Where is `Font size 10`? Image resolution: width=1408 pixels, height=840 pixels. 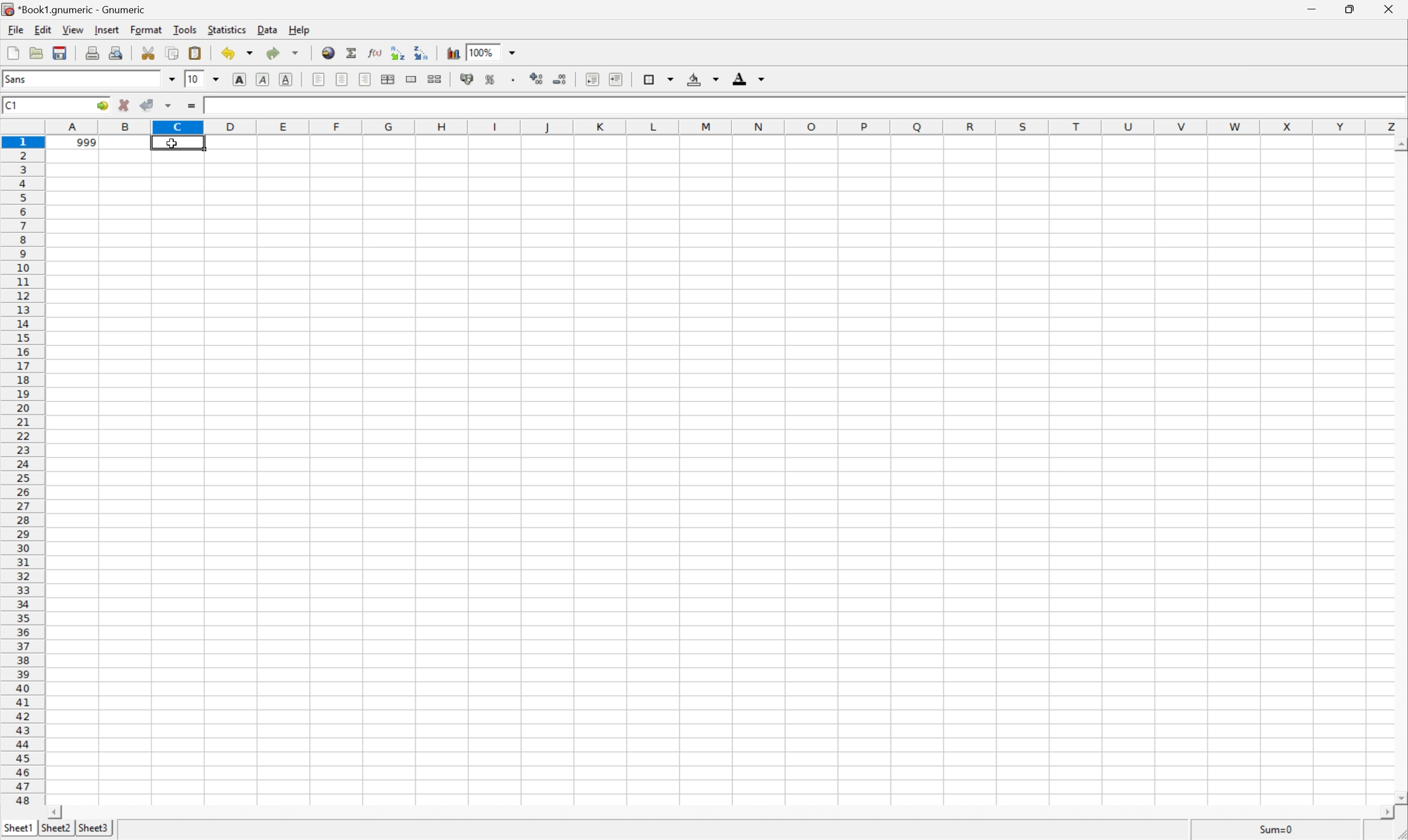
Font size 10 is located at coordinates (205, 78).